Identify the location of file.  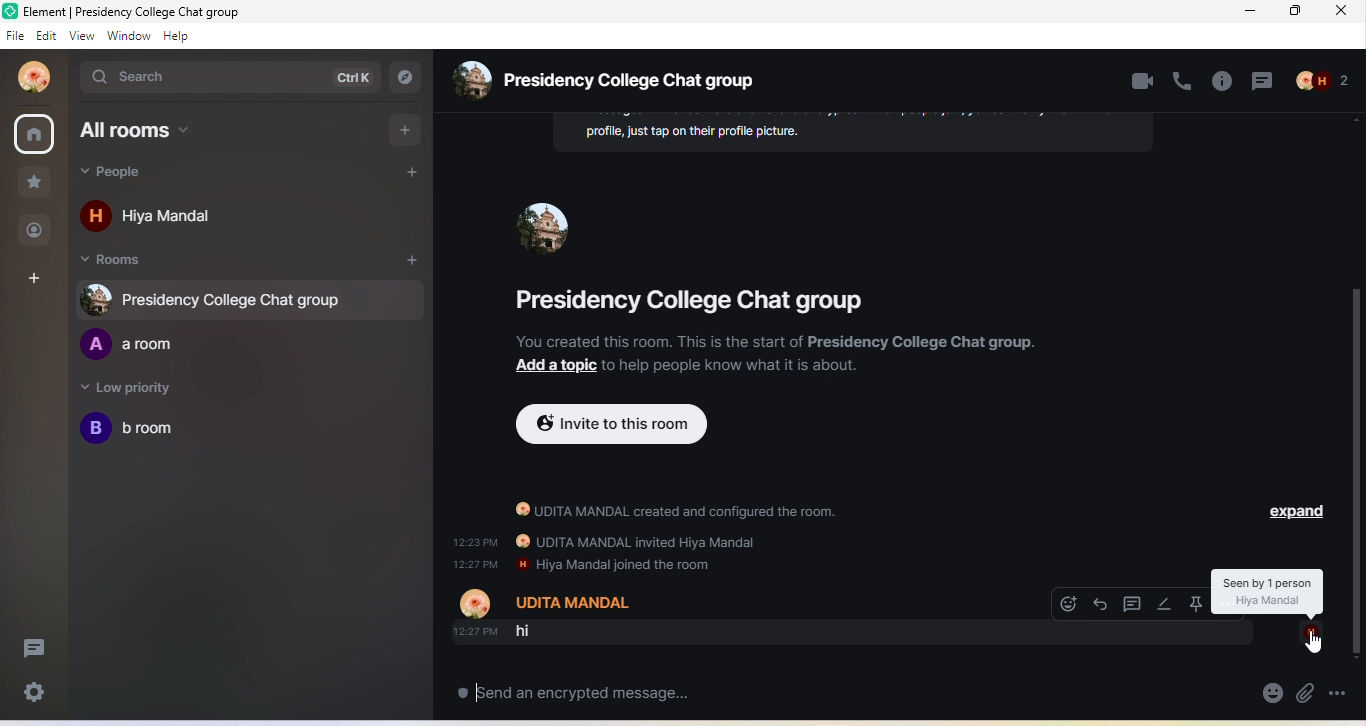
(14, 37).